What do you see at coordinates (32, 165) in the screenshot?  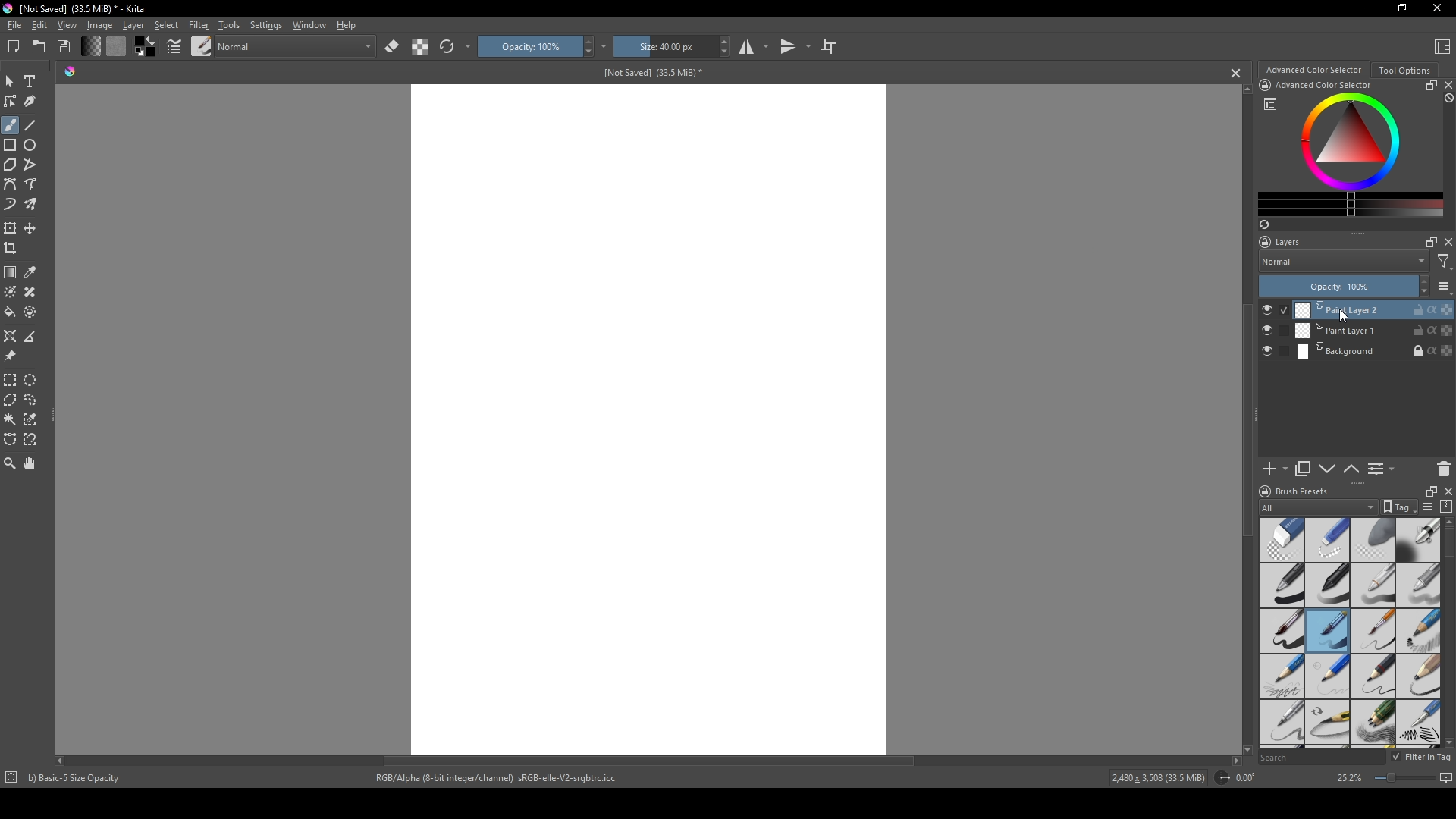 I see `polyline` at bounding box center [32, 165].